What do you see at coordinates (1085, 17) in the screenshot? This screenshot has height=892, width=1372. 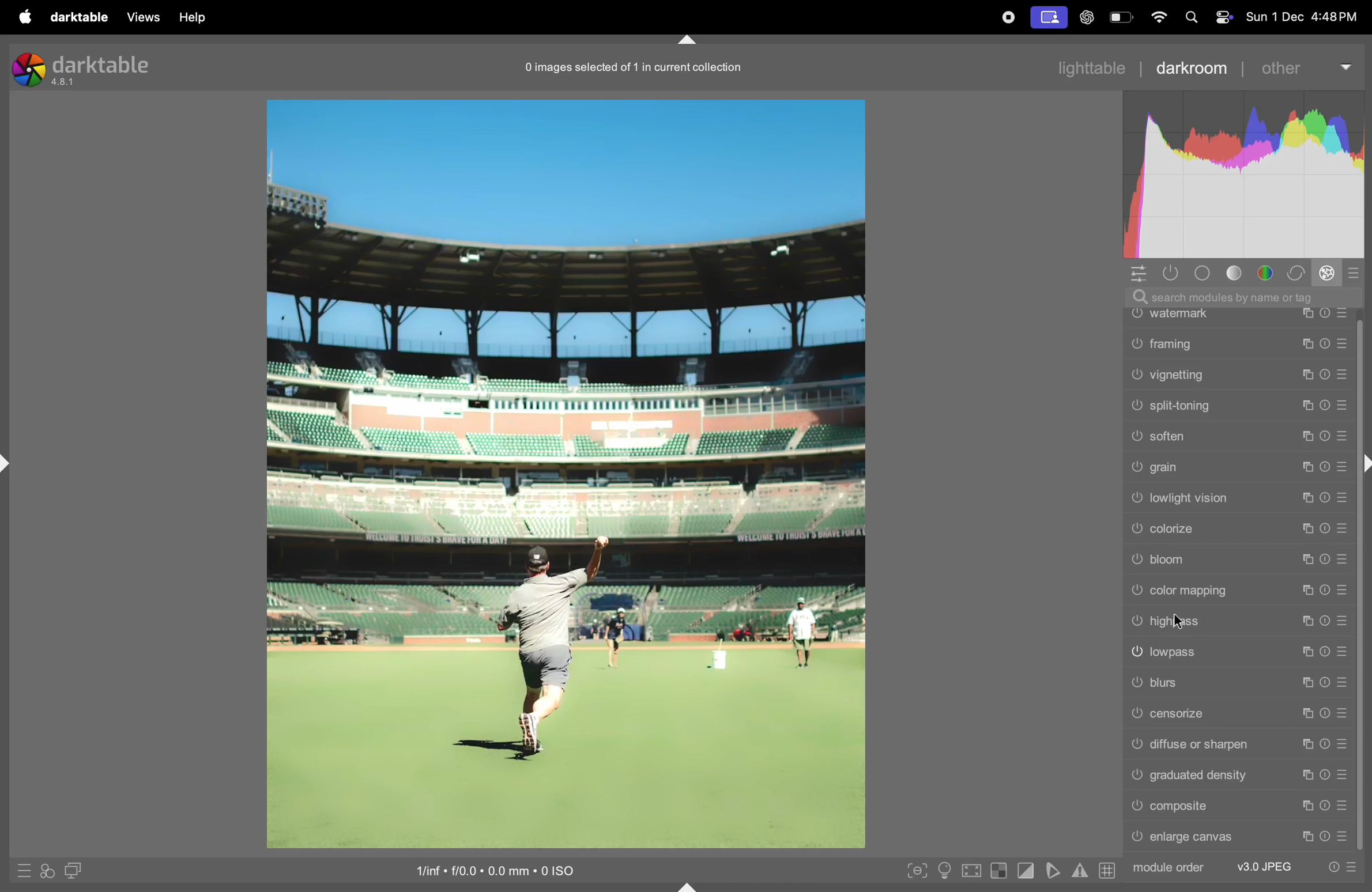 I see `cahtgpt` at bounding box center [1085, 17].